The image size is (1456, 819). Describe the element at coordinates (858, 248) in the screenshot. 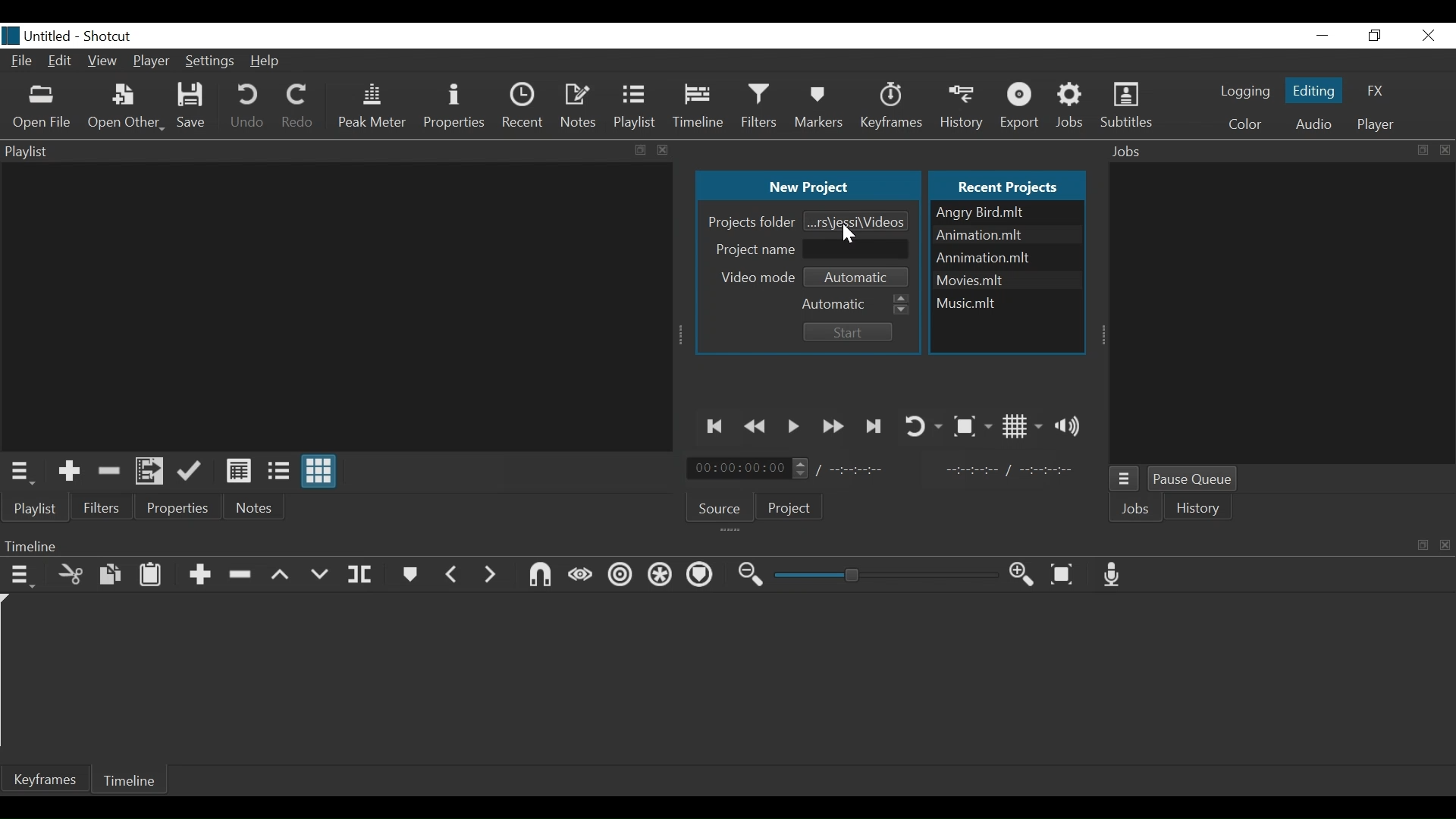

I see `Project name Field` at that location.